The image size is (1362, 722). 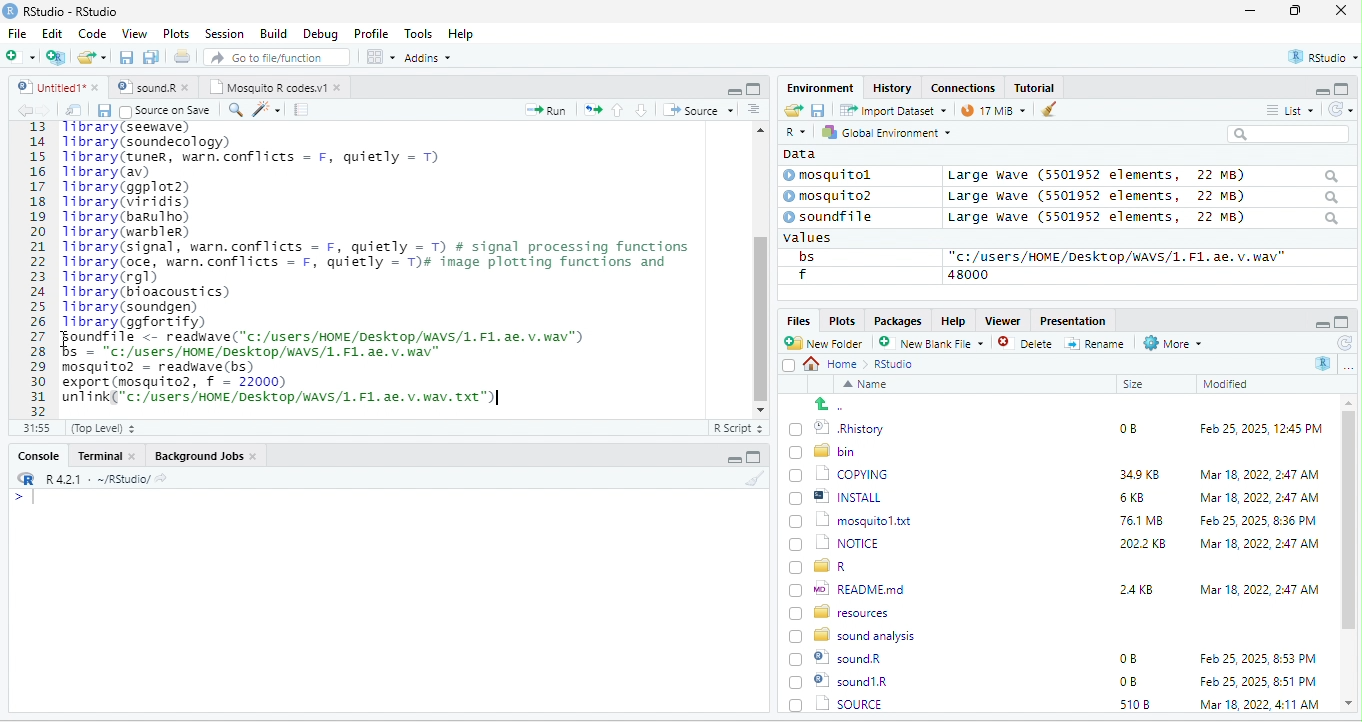 I want to click on close, so click(x=1341, y=12).